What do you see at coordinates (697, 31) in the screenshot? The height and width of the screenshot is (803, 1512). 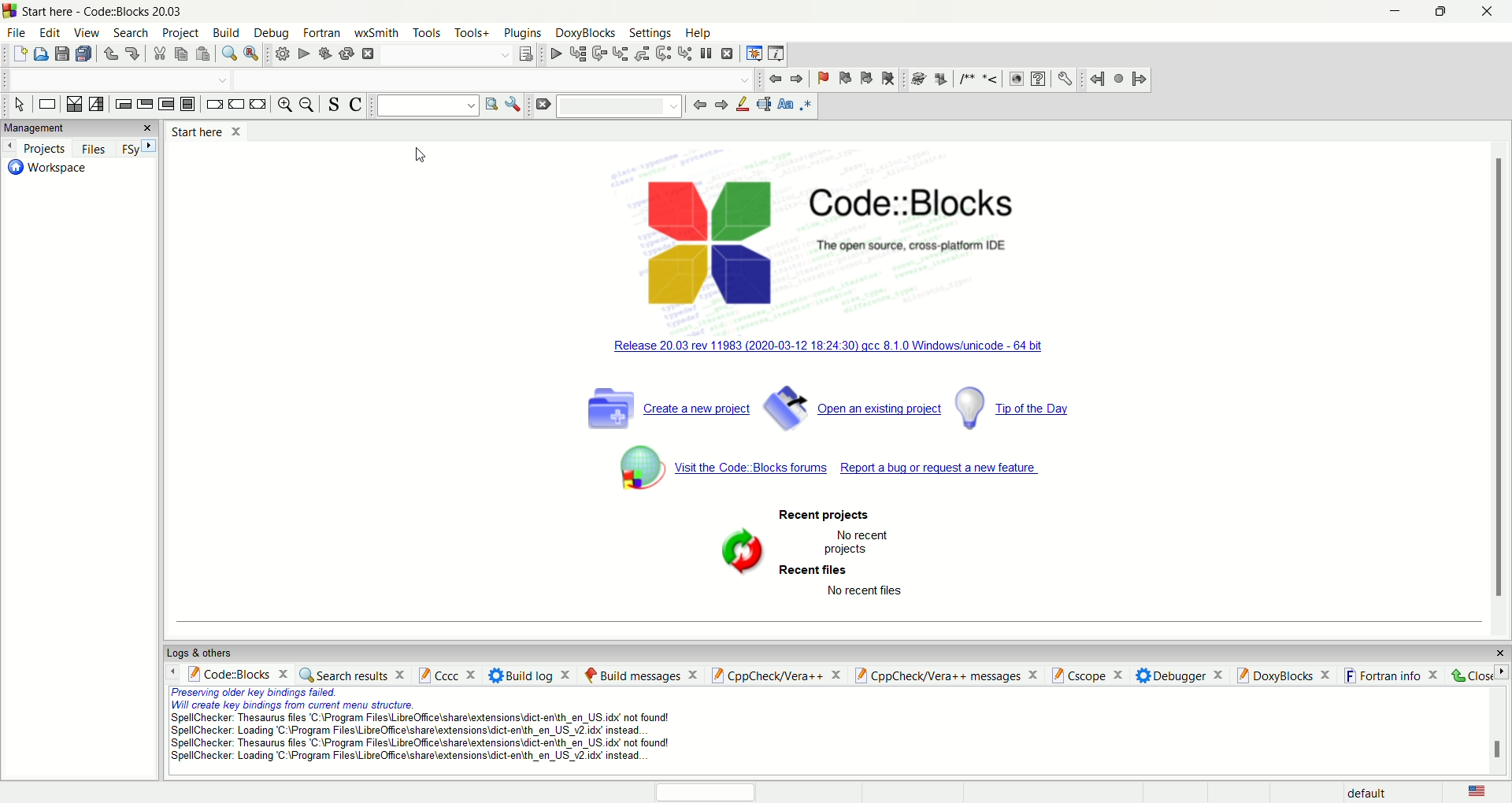 I see `help` at bounding box center [697, 31].